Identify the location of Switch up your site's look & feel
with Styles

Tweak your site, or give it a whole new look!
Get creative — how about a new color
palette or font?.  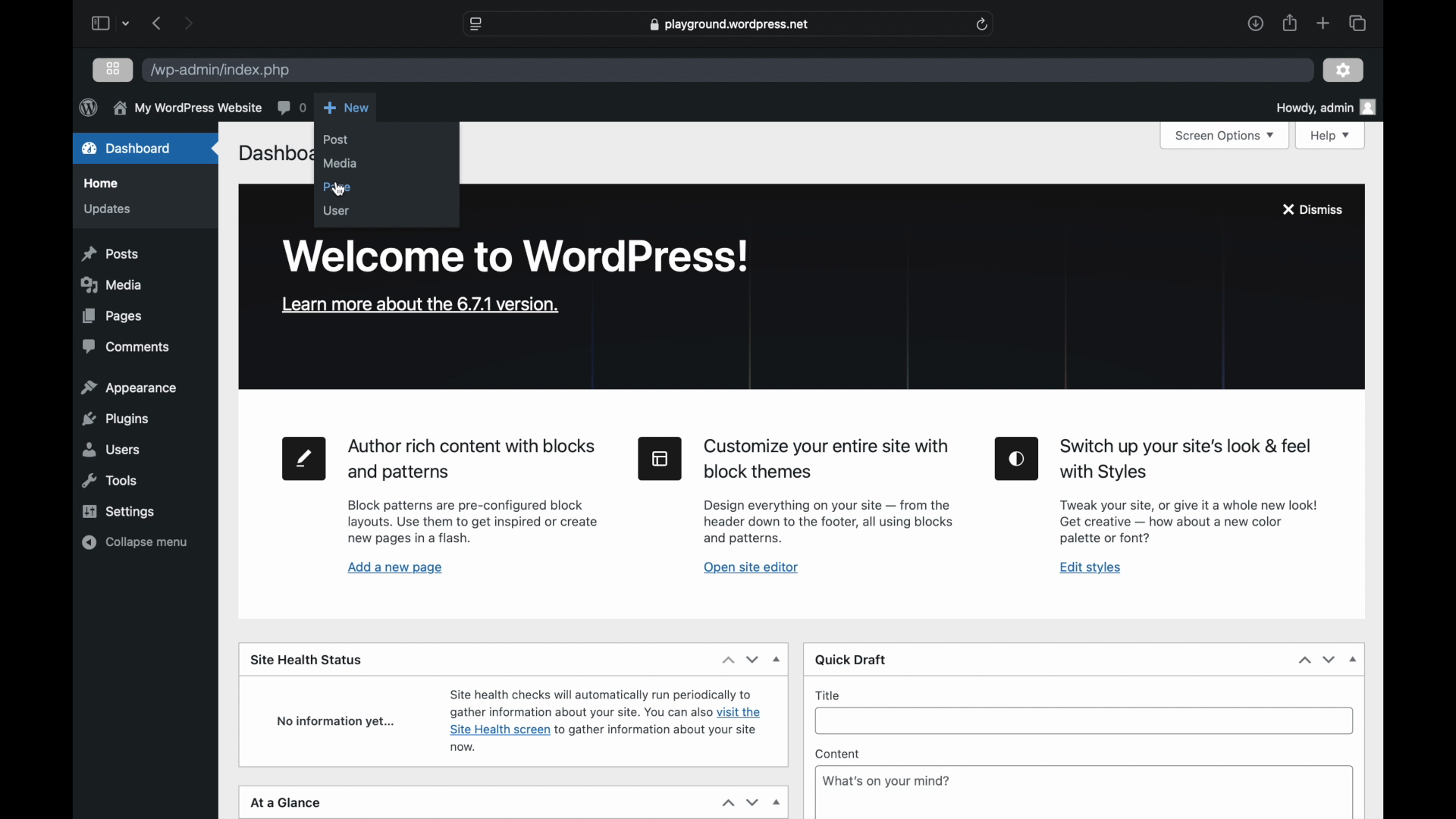
(1191, 492).